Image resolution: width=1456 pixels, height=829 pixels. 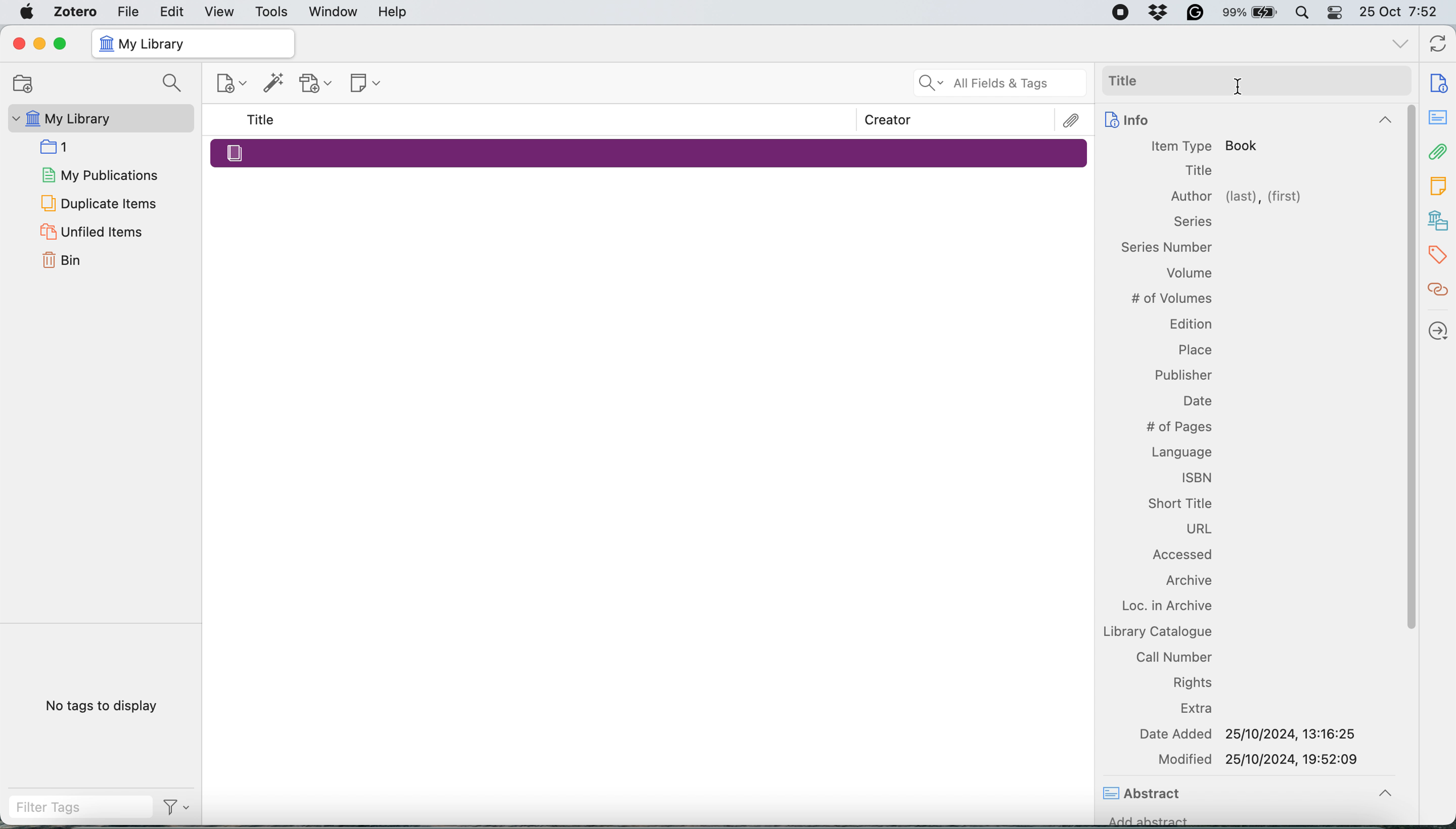 What do you see at coordinates (1185, 556) in the screenshot?
I see `Accessed` at bounding box center [1185, 556].